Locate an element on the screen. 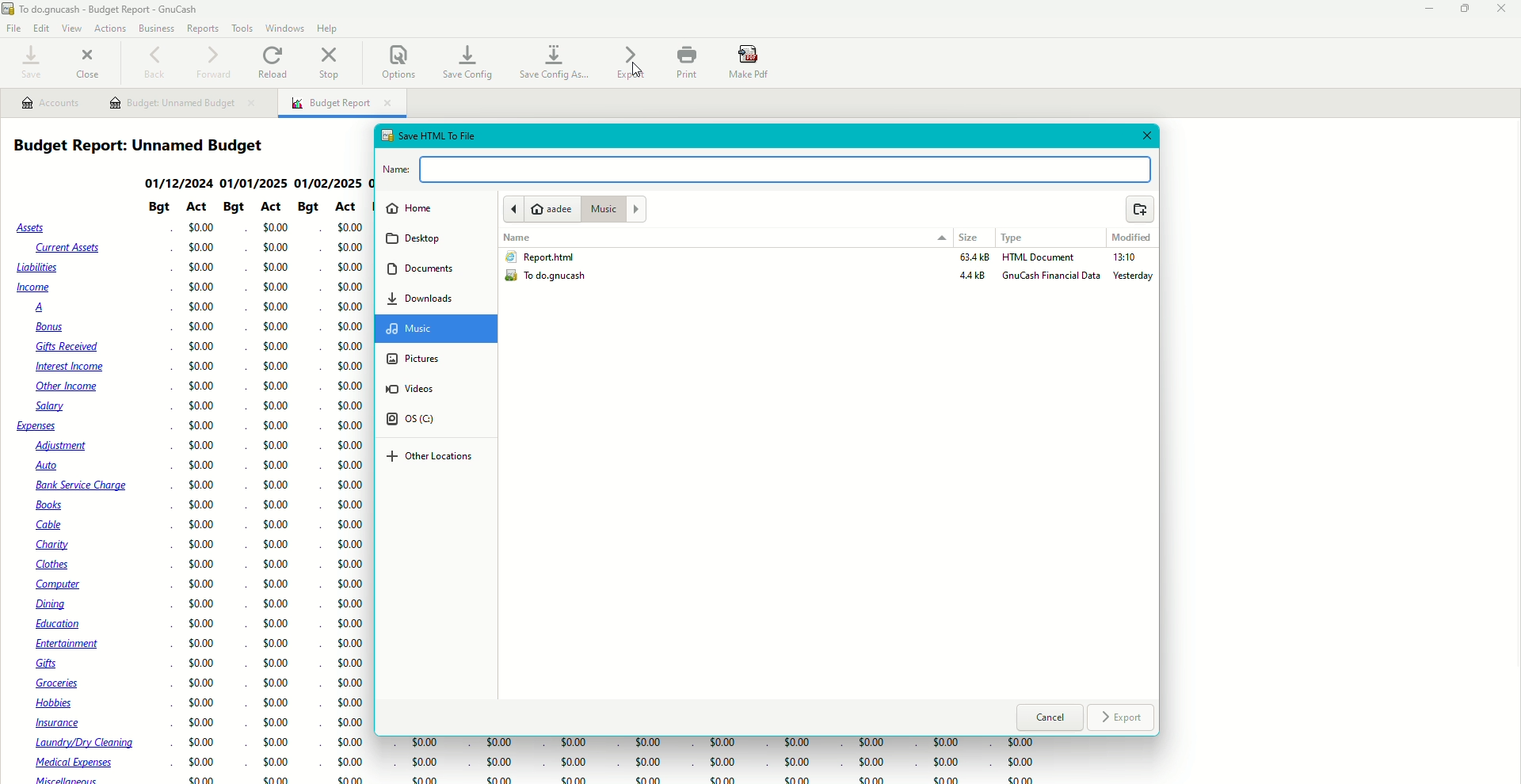 The height and width of the screenshot is (784, 1521). New Folder is located at coordinates (1140, 211).